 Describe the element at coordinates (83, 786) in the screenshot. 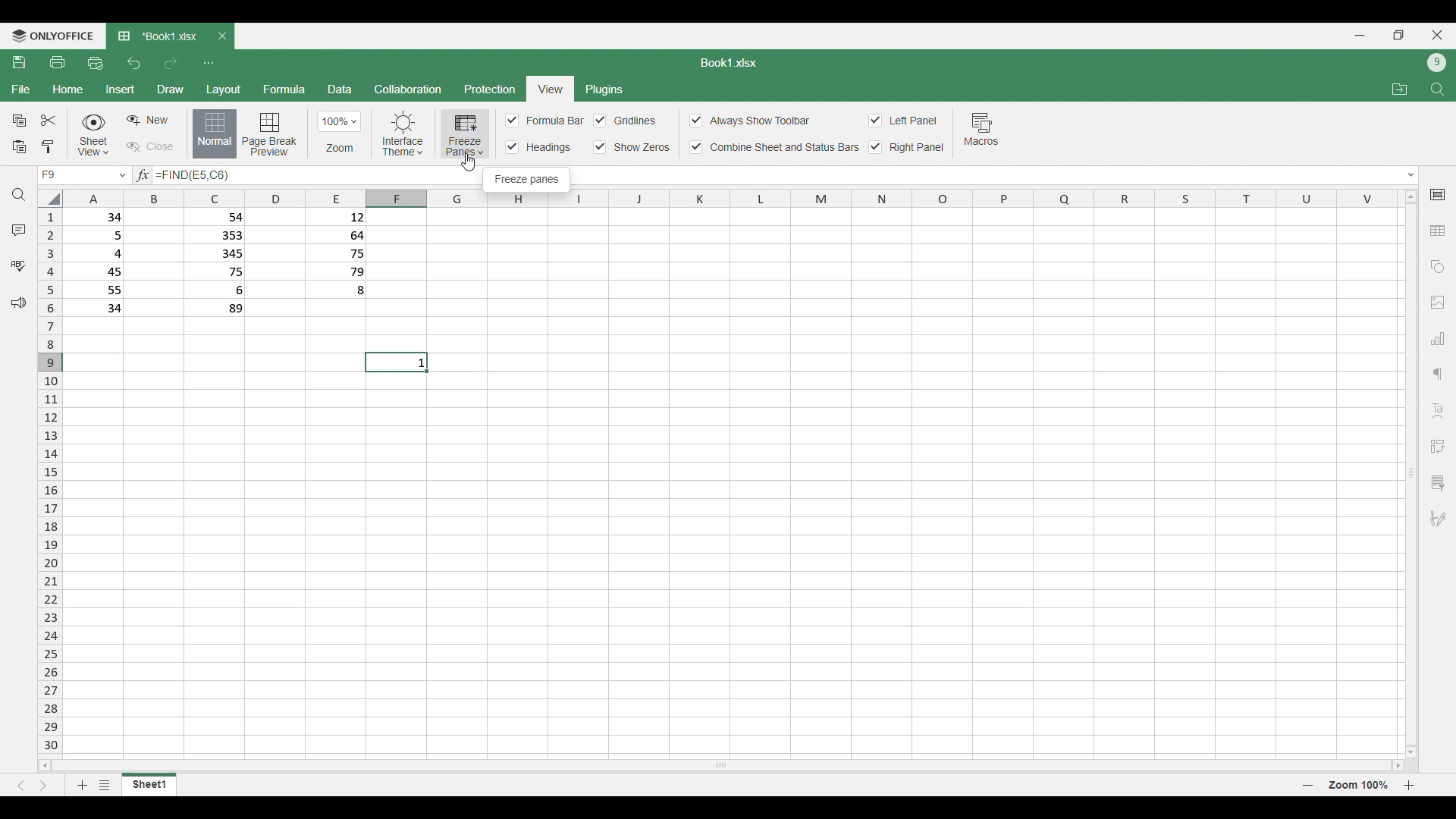

I see `Add sheet` at that location.